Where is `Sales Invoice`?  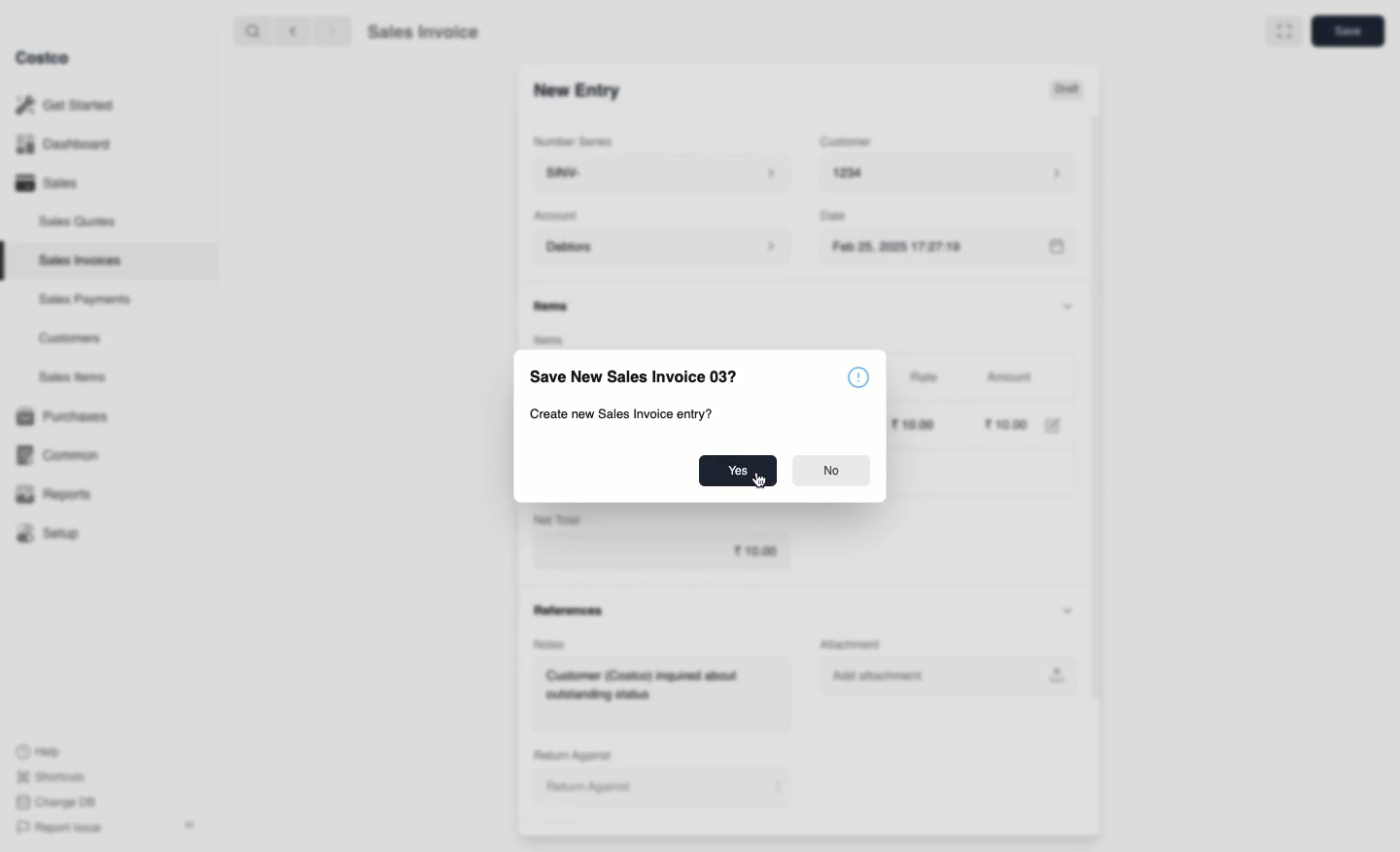 Sales Invoice is located at coordinates (427, 32).